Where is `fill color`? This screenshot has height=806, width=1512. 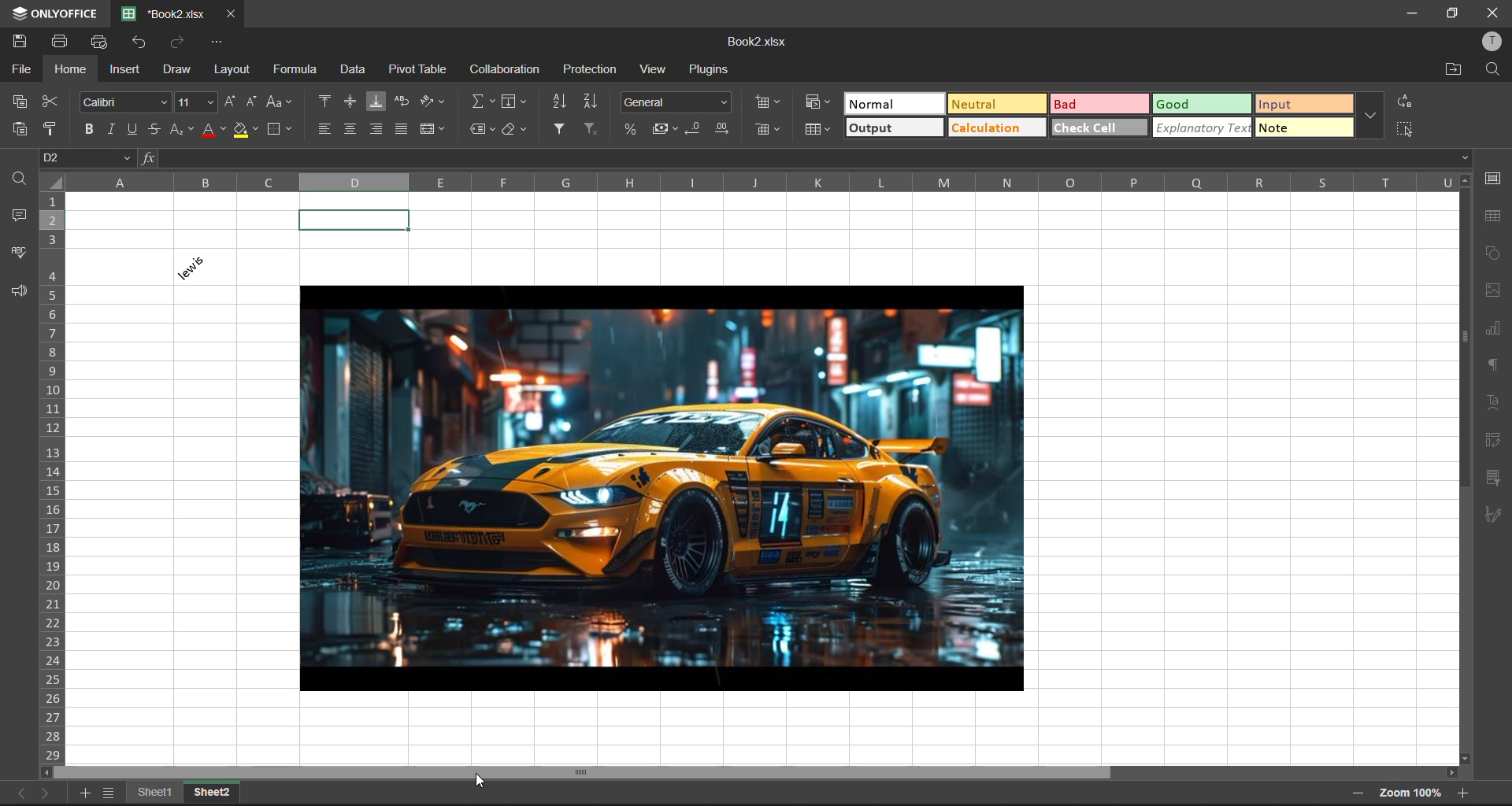
fill color is located at coordinates (246, 130).